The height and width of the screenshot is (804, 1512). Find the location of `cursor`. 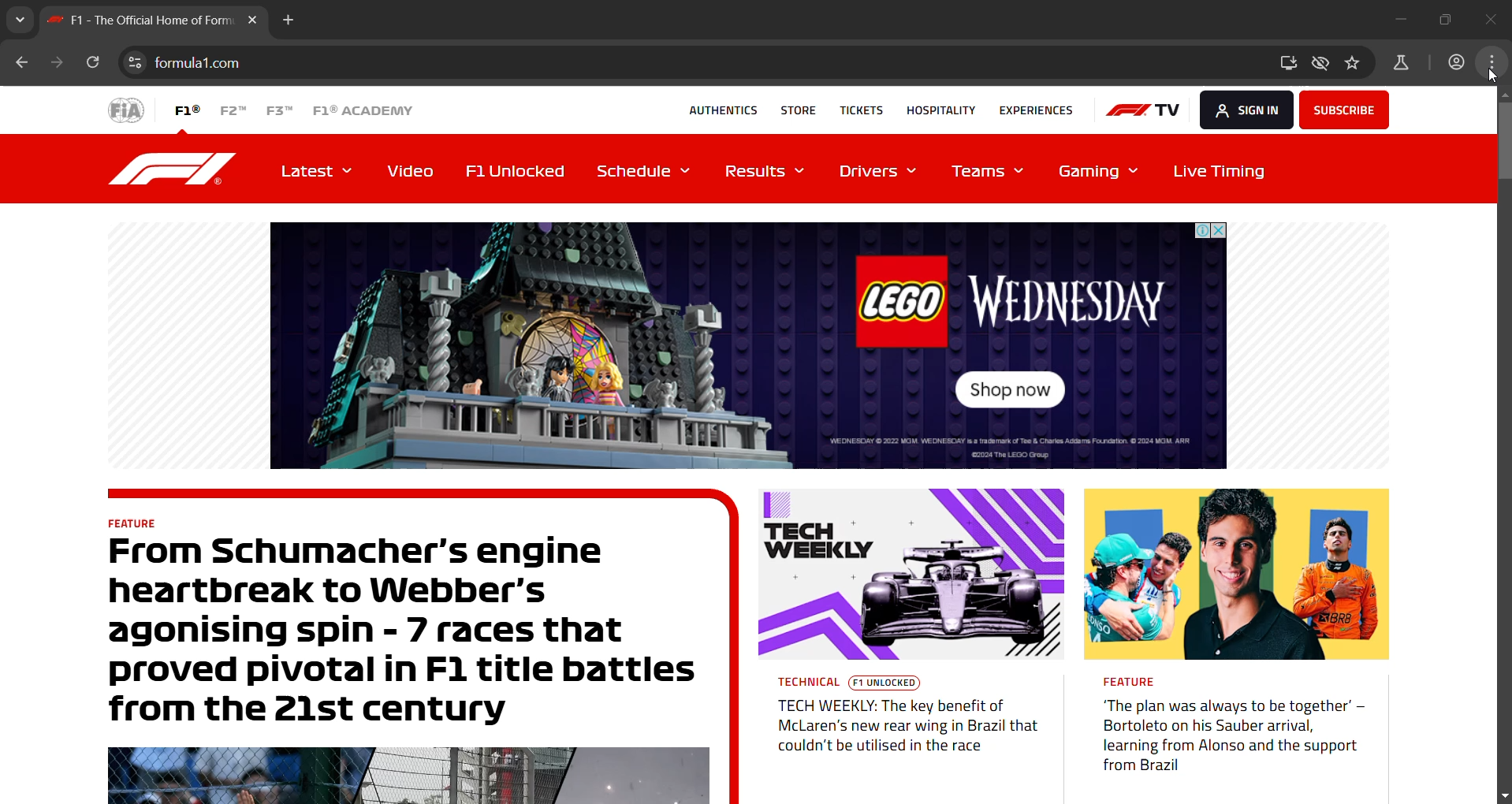

cursor is located at coordinates (1488, 77).